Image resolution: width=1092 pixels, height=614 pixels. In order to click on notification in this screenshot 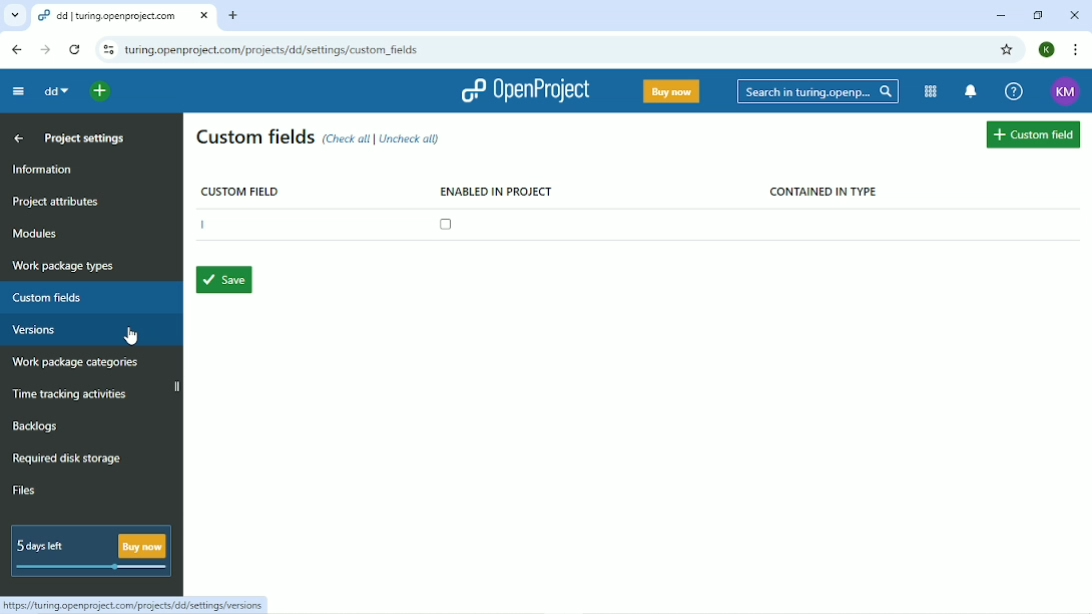, I will do `click(972, 92)`.